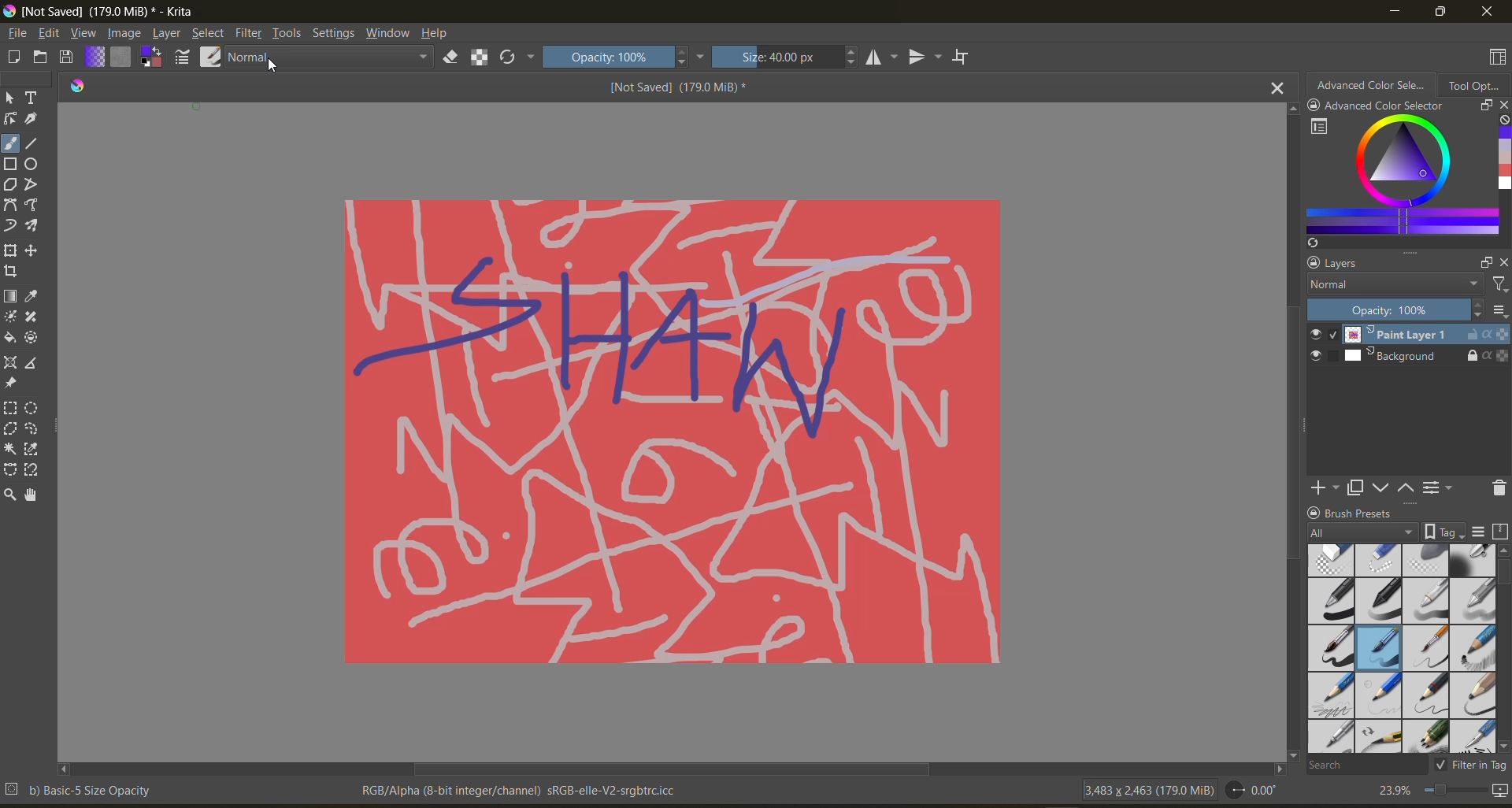 Image resolution: width=1512 pixels, height=808 pixels. Describe the element at coordinates (673, 770) in the screenshot. I see `horizontal scroll bar` at that location.